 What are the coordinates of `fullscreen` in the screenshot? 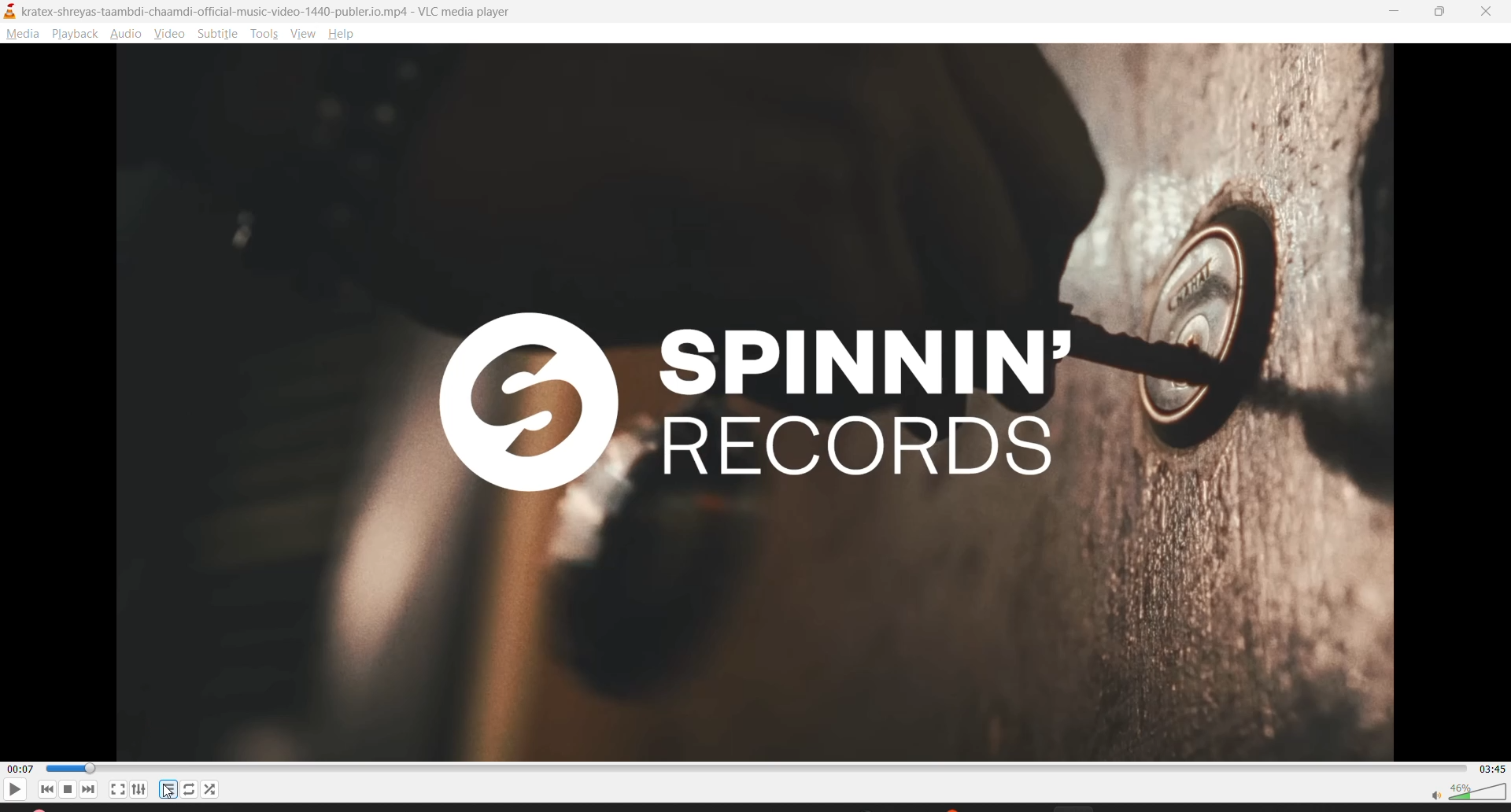 It's located at (116, 792).